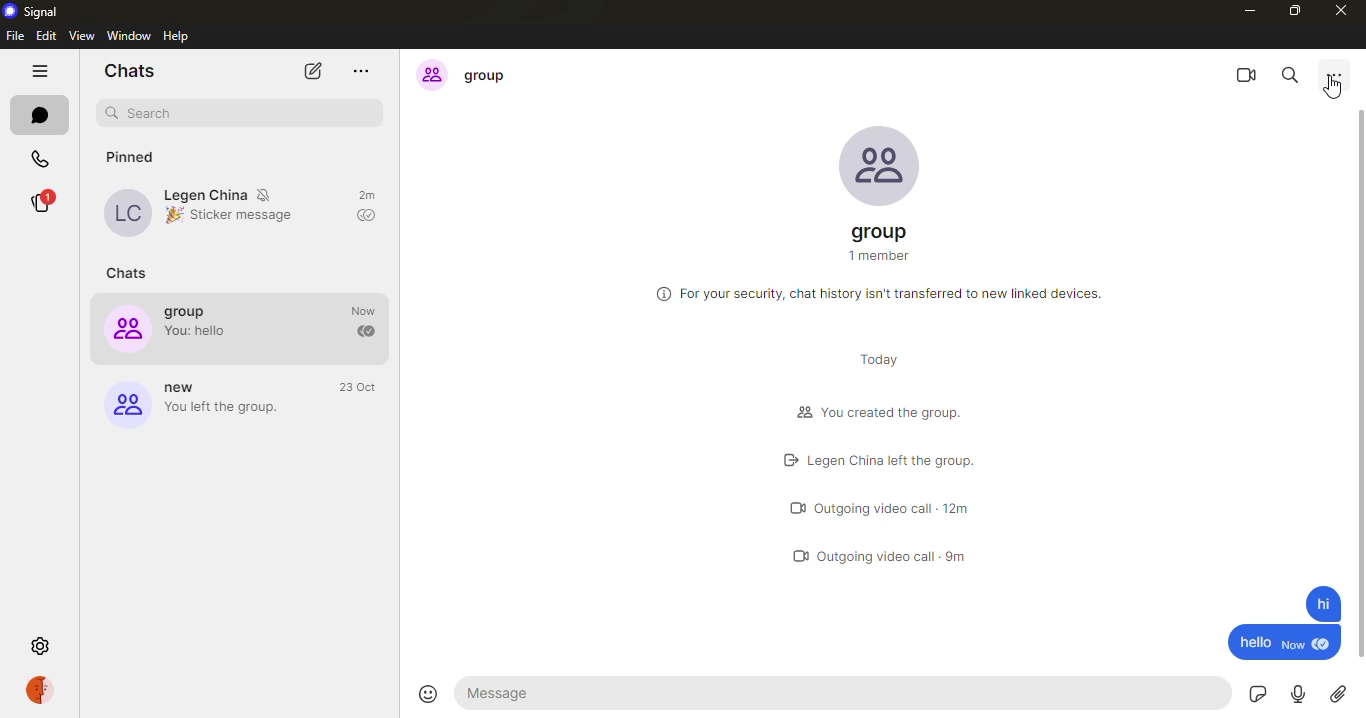 The width and height of the screenshot is (1366, 718). I want to click on sent, so click(367, 217).